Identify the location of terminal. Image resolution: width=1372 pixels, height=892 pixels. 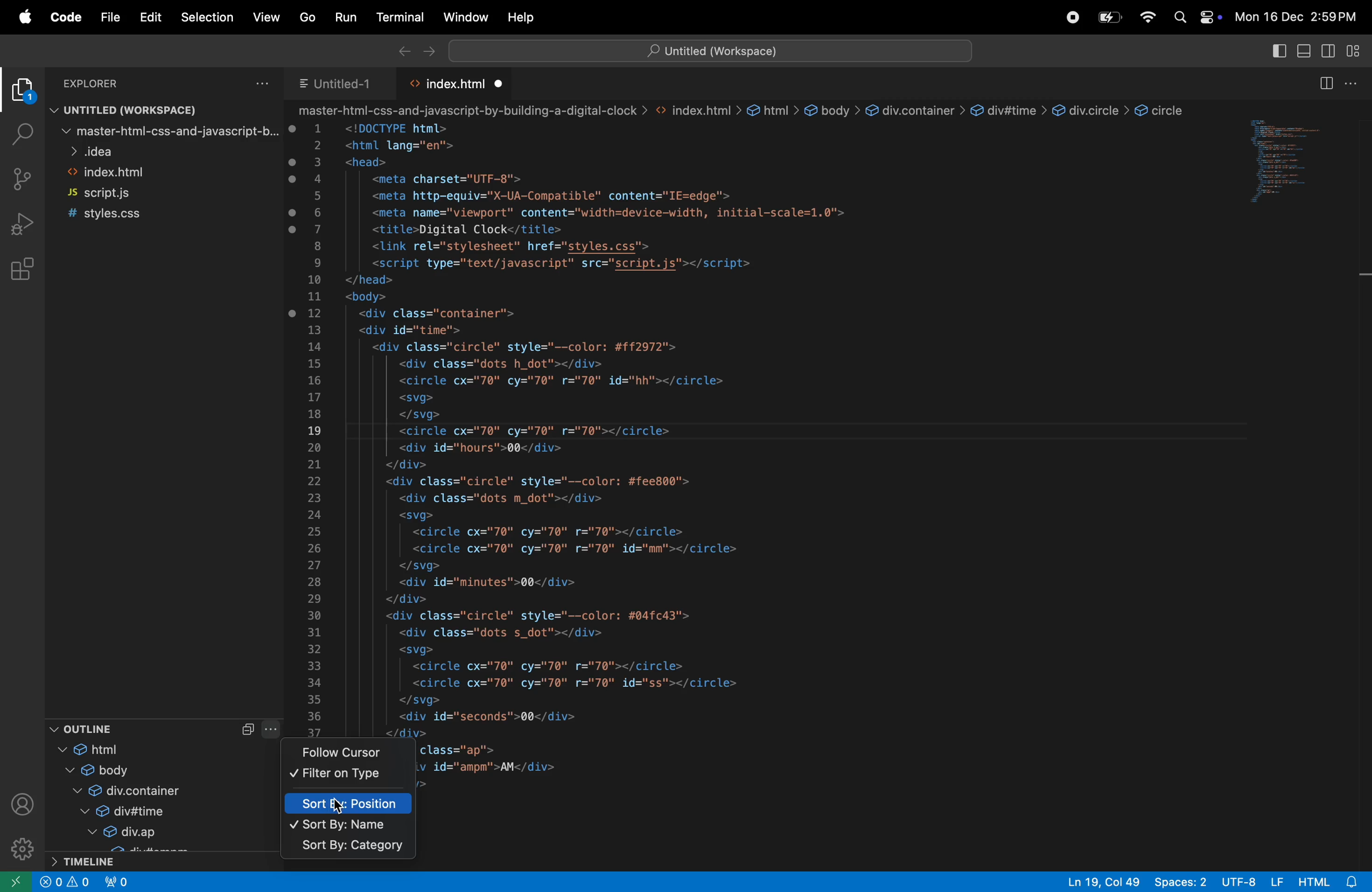
(395, 17).